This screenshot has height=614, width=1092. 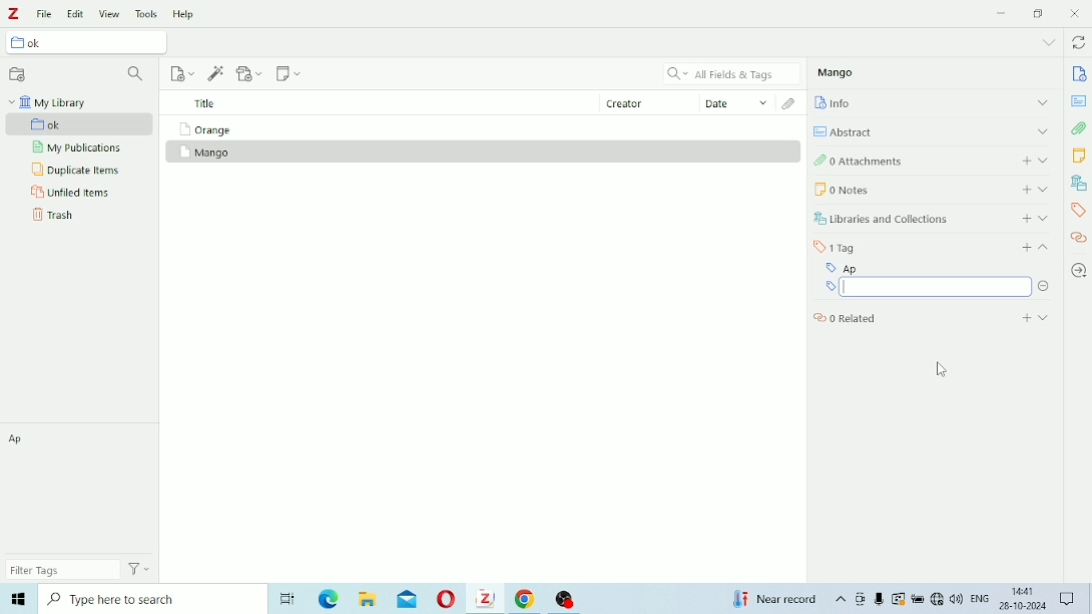 What do you see at coordinates (838, 72) in the screenshot?
I see `Mango` at bounding box center [838, 72].